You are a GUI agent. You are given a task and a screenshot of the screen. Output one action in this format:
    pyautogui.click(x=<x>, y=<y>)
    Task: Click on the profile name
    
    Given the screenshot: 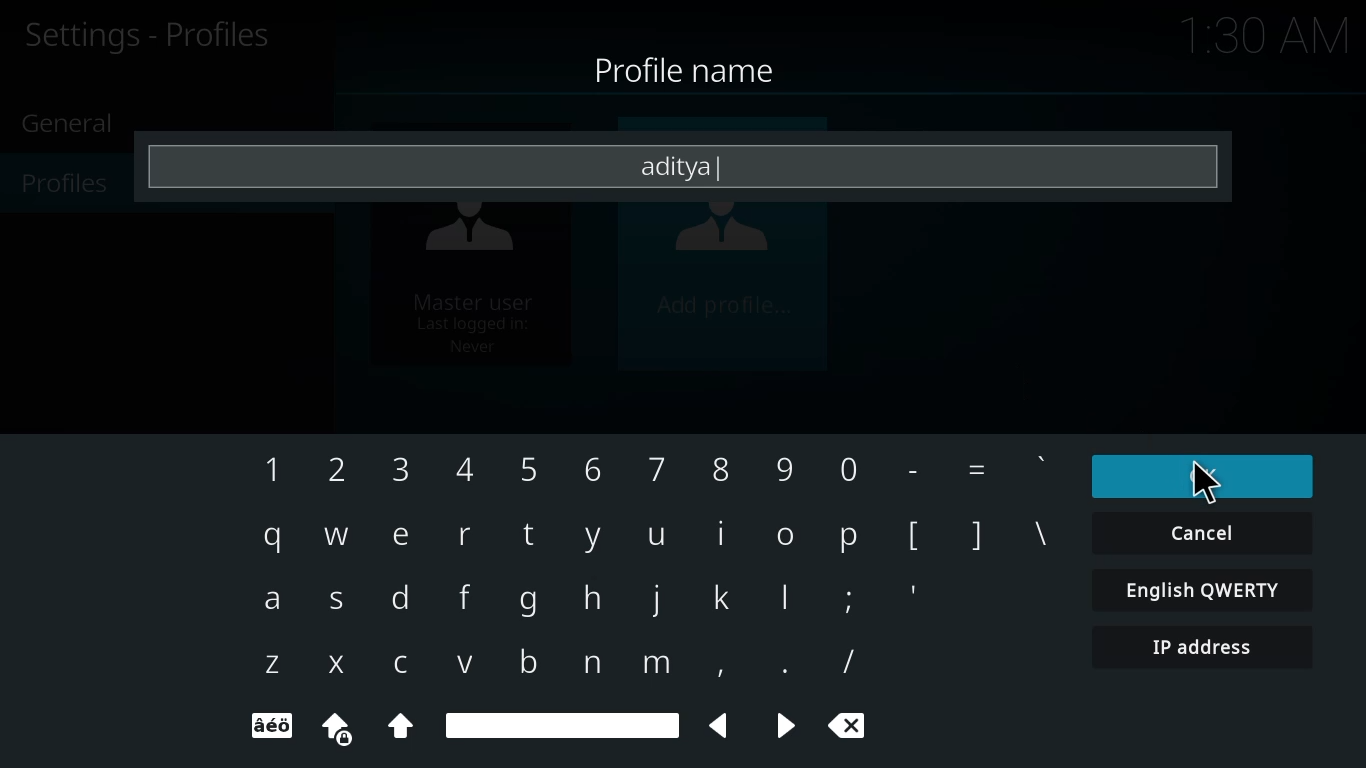 What is the action you would take?
    pyautogui.click(x=690, y=66)
    